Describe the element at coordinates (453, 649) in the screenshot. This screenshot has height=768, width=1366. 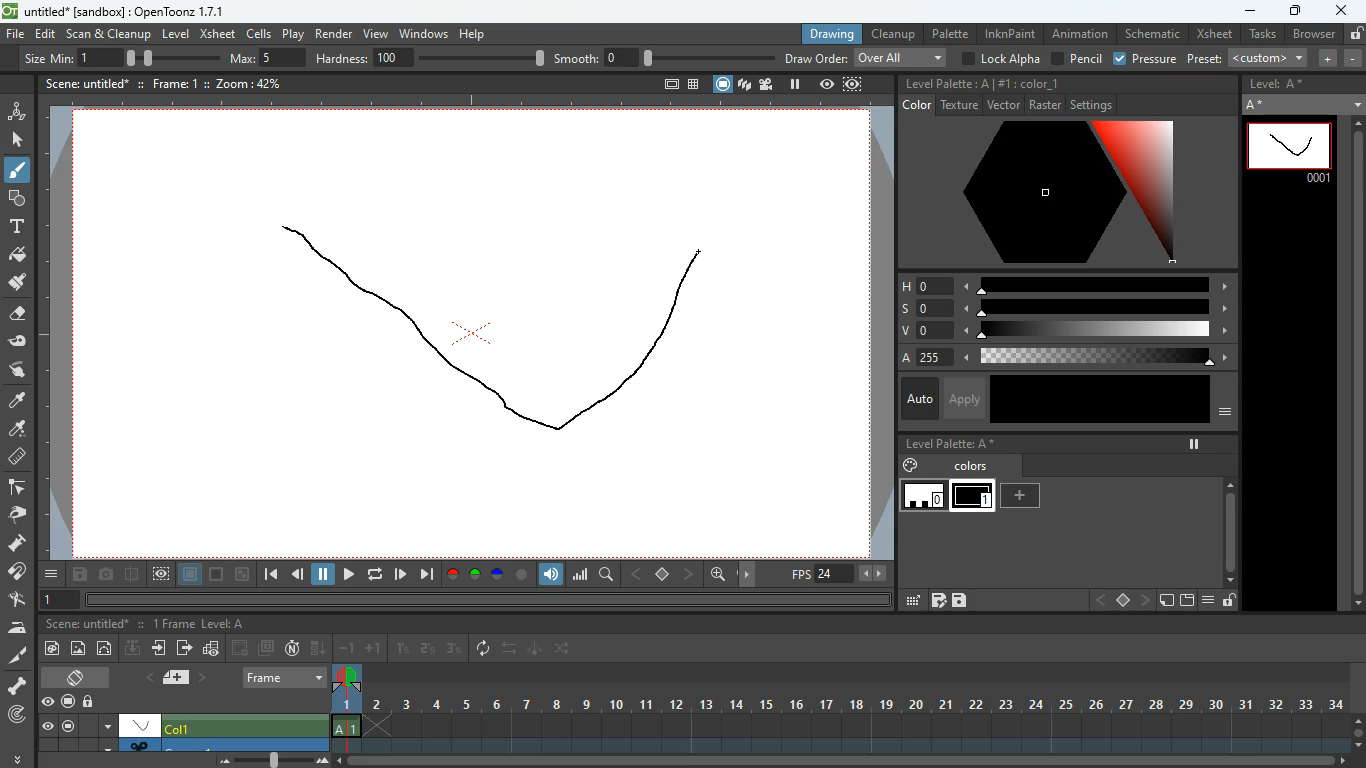
I see `3` at that location.